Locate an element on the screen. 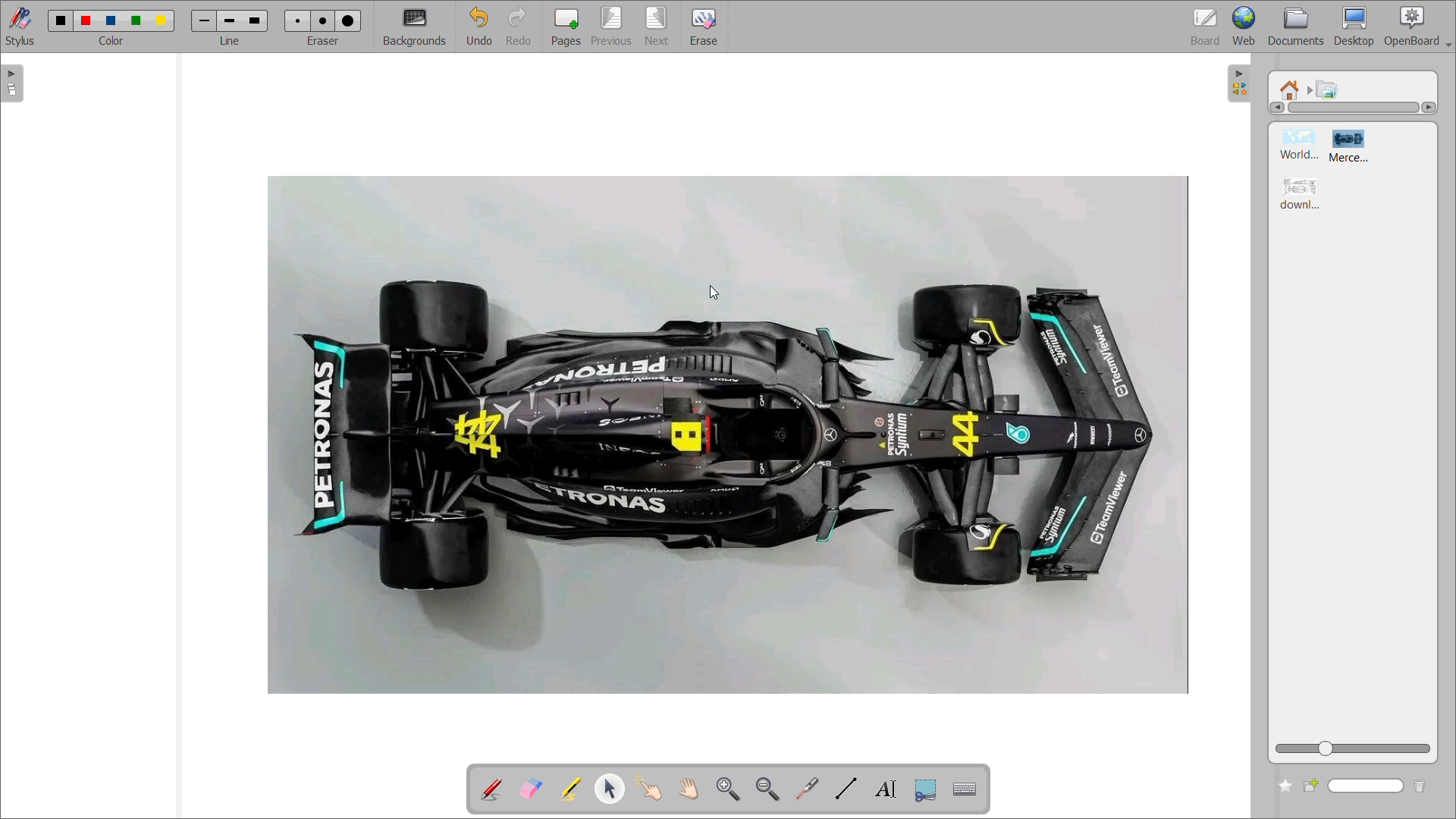 The image size is (1456, 819). documents is located at coordinates (1296, 24).